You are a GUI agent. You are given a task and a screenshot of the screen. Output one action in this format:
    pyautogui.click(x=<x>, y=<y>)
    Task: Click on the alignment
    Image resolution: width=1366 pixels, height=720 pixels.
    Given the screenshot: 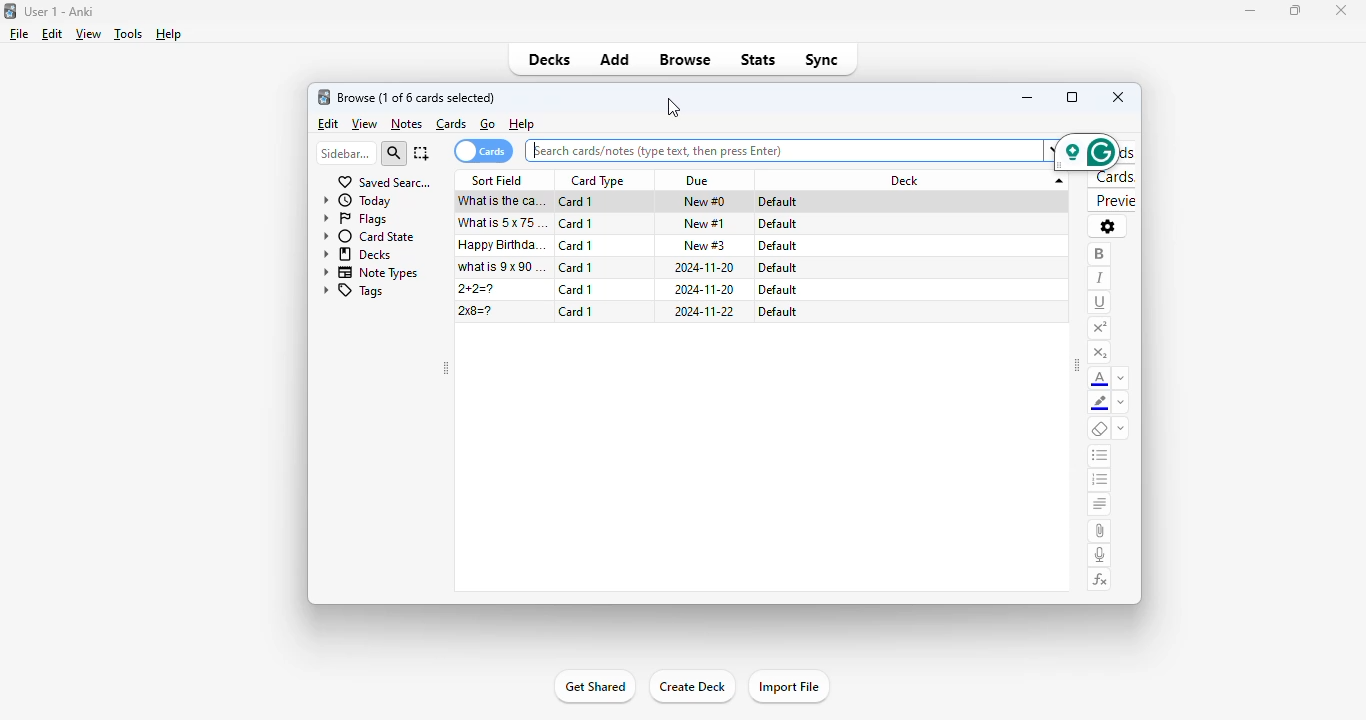 What is the action you would take?
    pyautogui.click(x=1101, y=505)
    